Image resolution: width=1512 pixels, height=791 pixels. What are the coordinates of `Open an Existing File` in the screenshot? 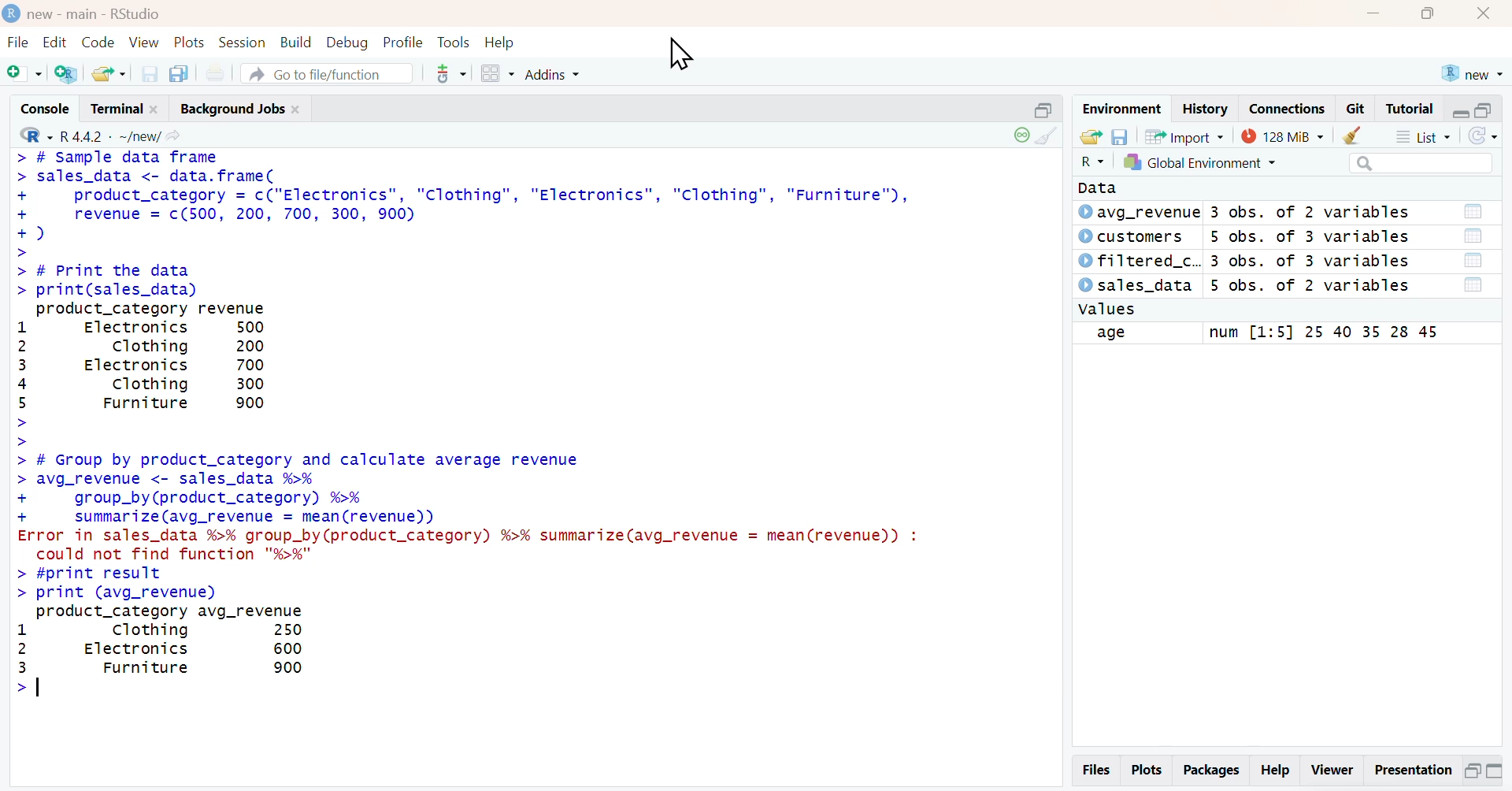 It's located at (108, 74).